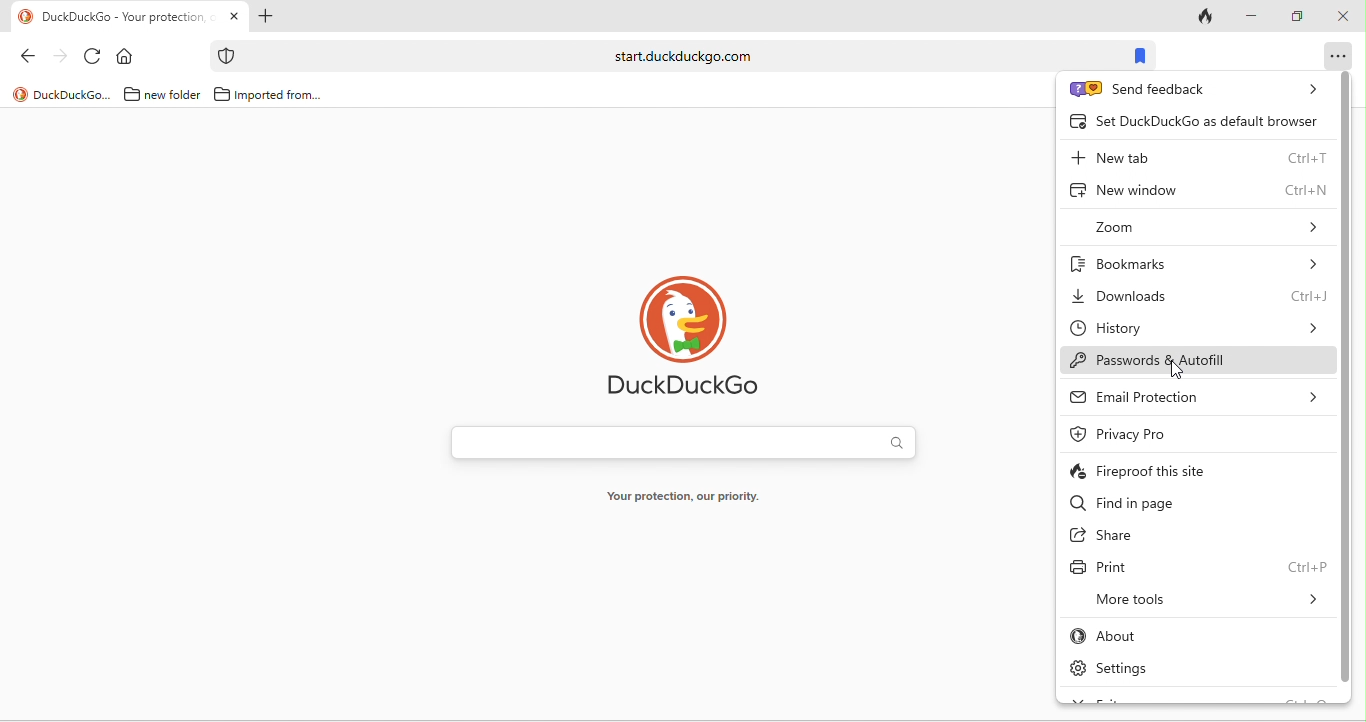 The image size is (1366, 722). I want to click on vertical scroll bar, so click(1346, 378).